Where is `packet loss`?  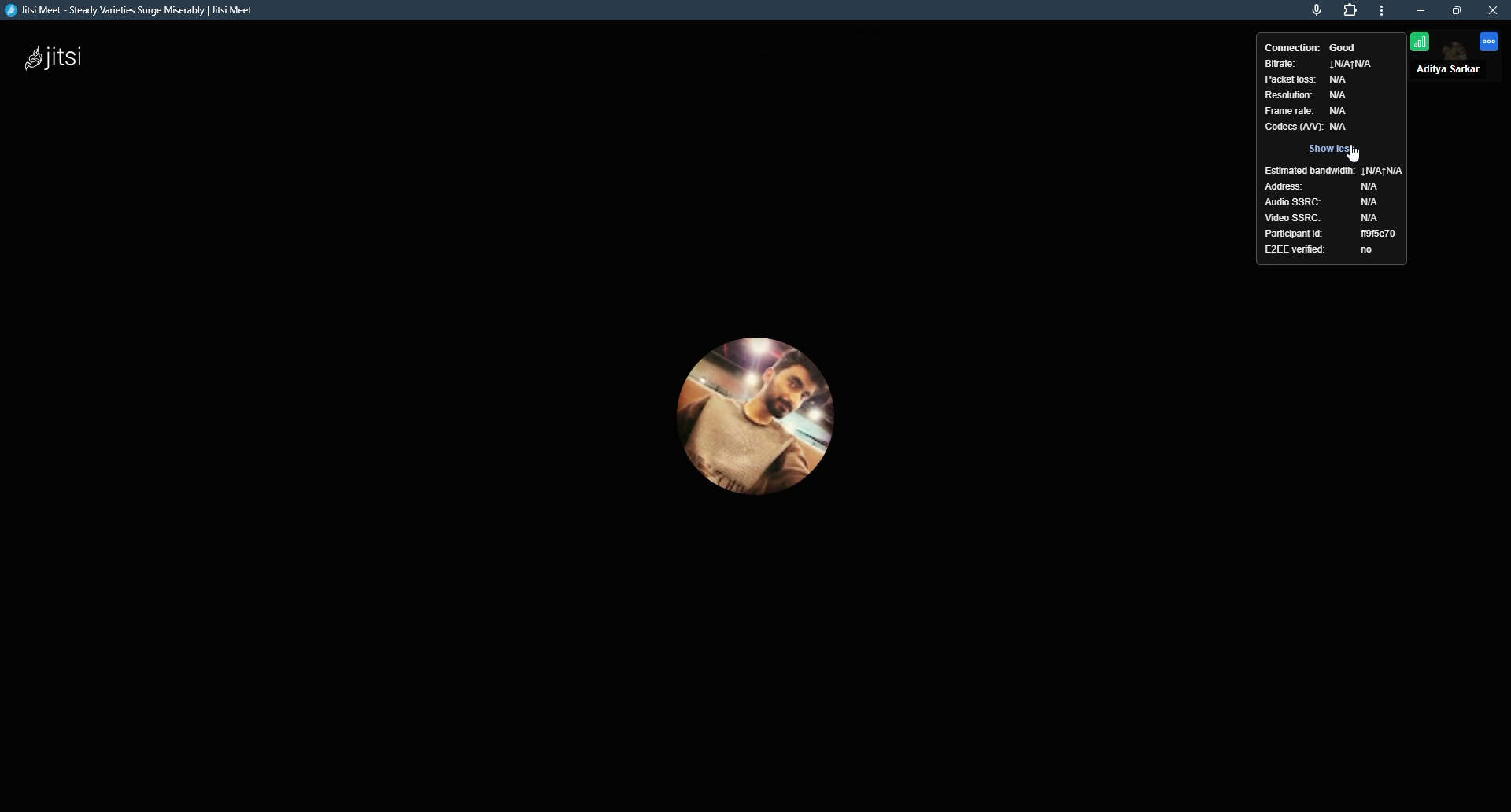 packet loss is located at coordinates (1290, 79).